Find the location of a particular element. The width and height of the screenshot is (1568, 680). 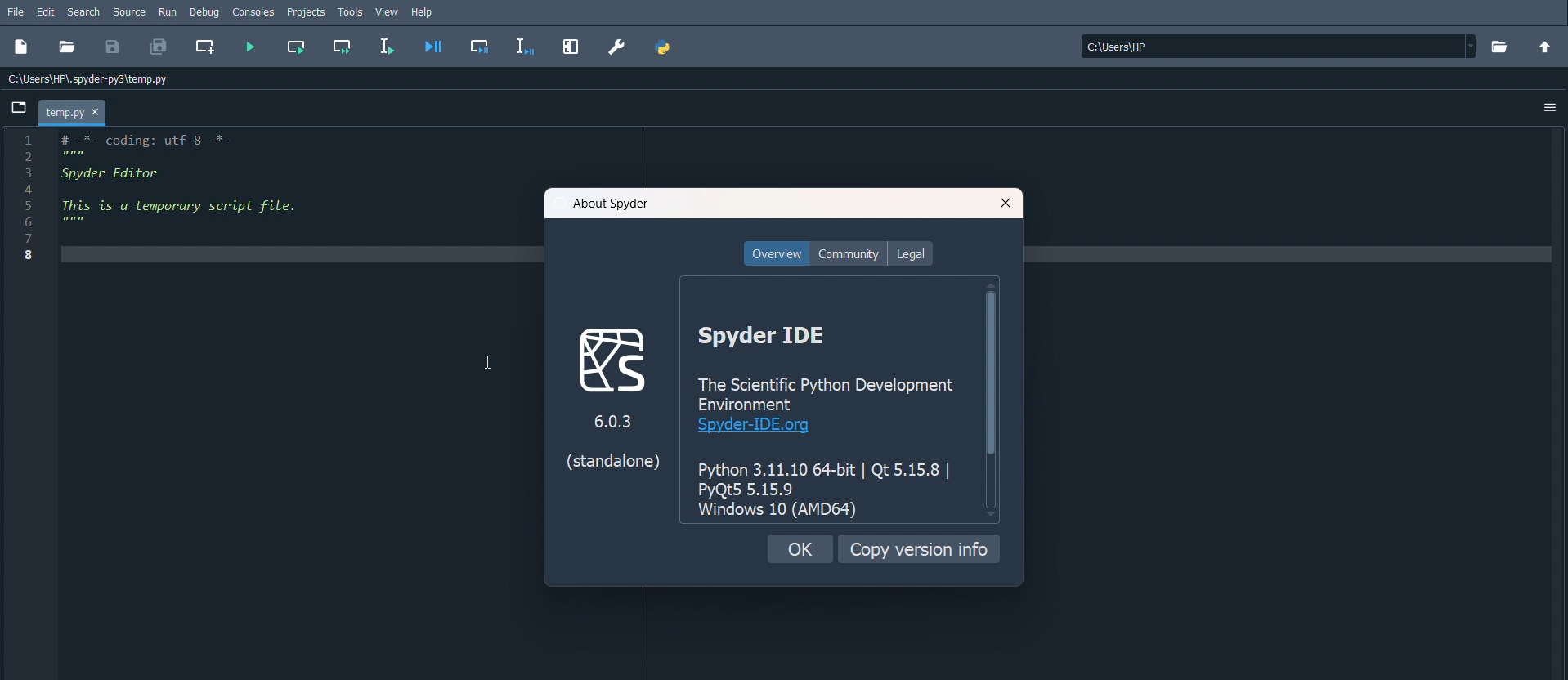

Open file is located at coordinates (65, 45).